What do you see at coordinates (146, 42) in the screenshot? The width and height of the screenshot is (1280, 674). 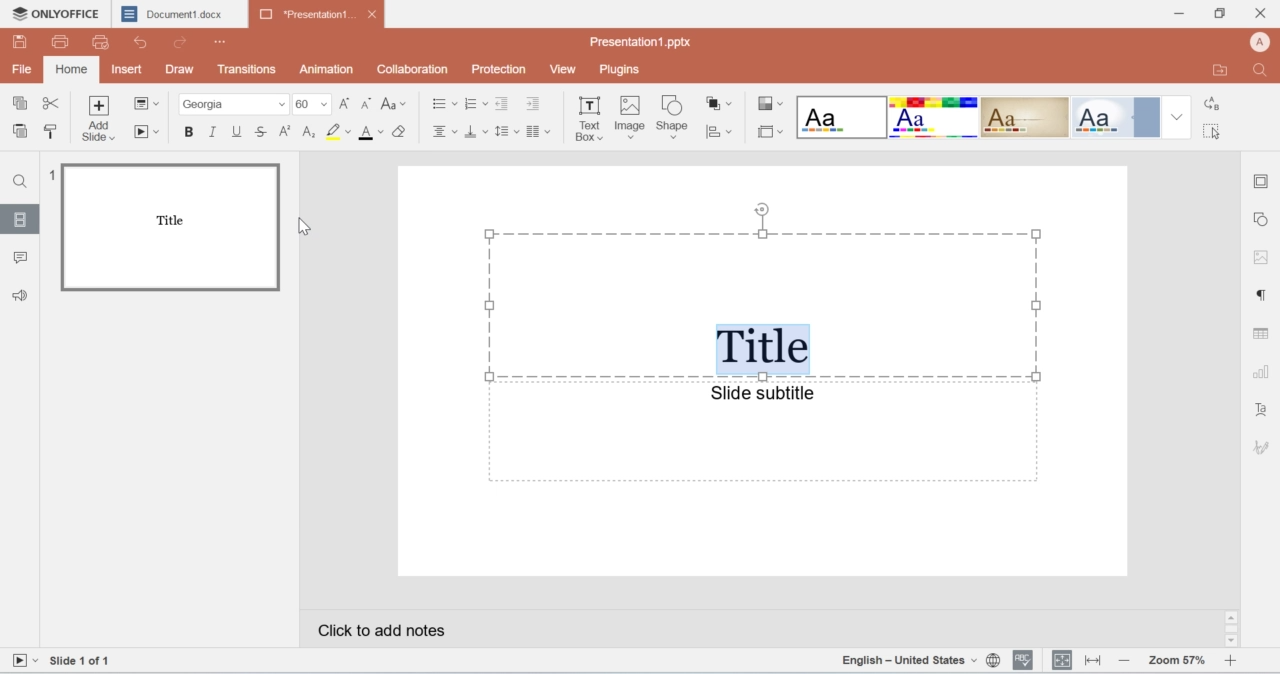 I see `Undo` at bounding box center [146, 42].